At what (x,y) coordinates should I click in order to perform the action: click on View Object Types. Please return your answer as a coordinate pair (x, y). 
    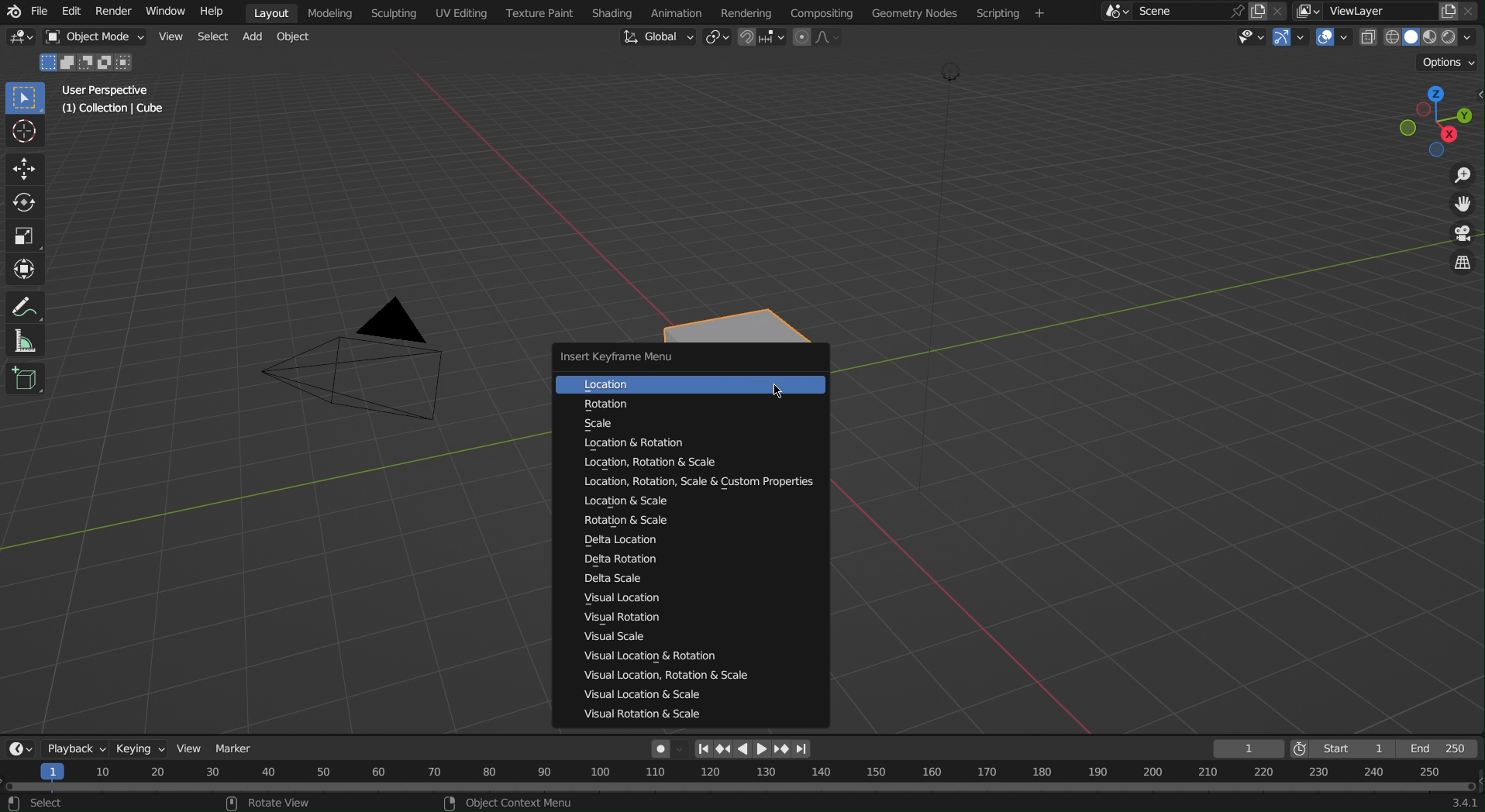
    Looking at the image, I should click on (1253, 38).